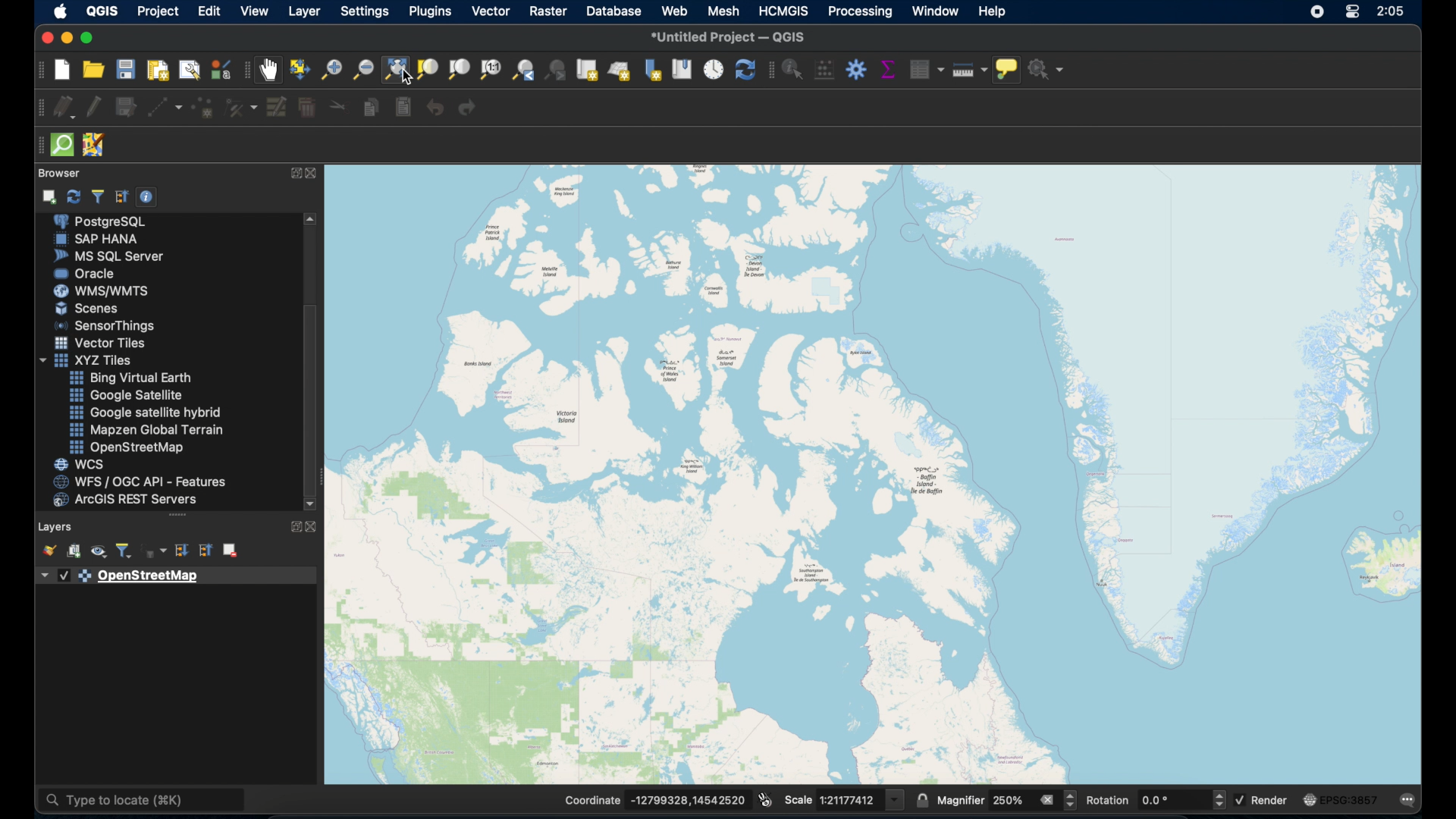  Describe the element at coordinates (62, 575) in the screenshot. I see `checked checkbox` at that location.